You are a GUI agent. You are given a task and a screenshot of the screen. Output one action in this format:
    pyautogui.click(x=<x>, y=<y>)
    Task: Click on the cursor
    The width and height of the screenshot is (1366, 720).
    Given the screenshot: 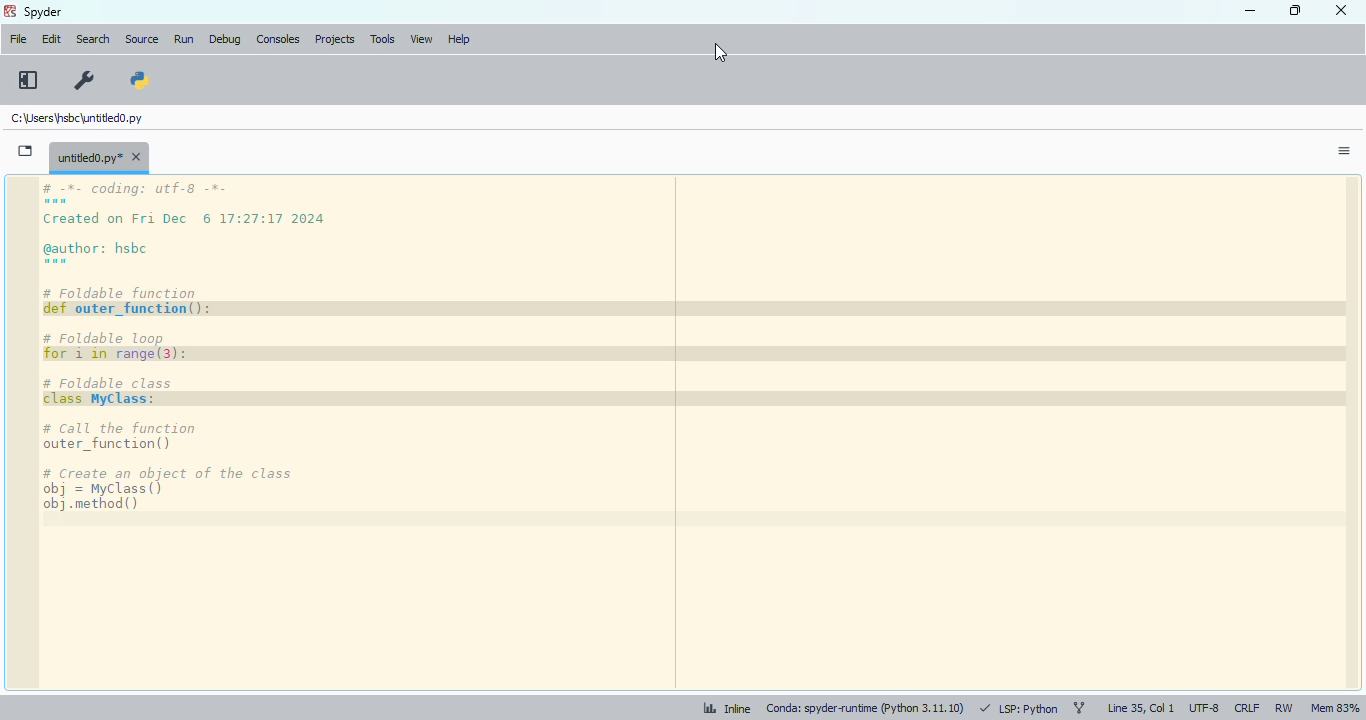 What is the action you would take?
    pyautogui.click(x=721, y=53)
    